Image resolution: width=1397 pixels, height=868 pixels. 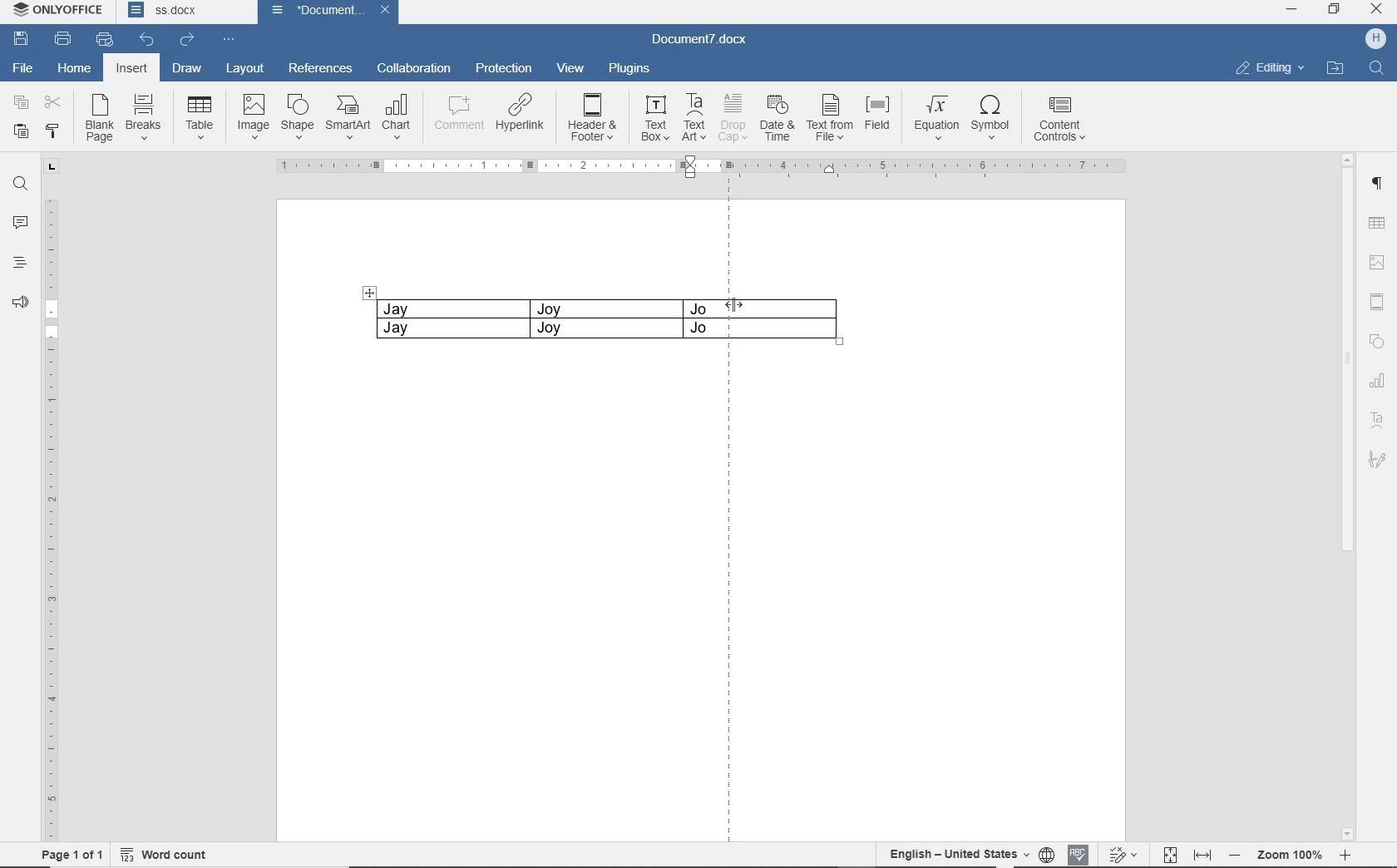 What do you see at coordinates (347, 118) in the screenshot?
I see `SMARTART` at bounding box center [347, 118].